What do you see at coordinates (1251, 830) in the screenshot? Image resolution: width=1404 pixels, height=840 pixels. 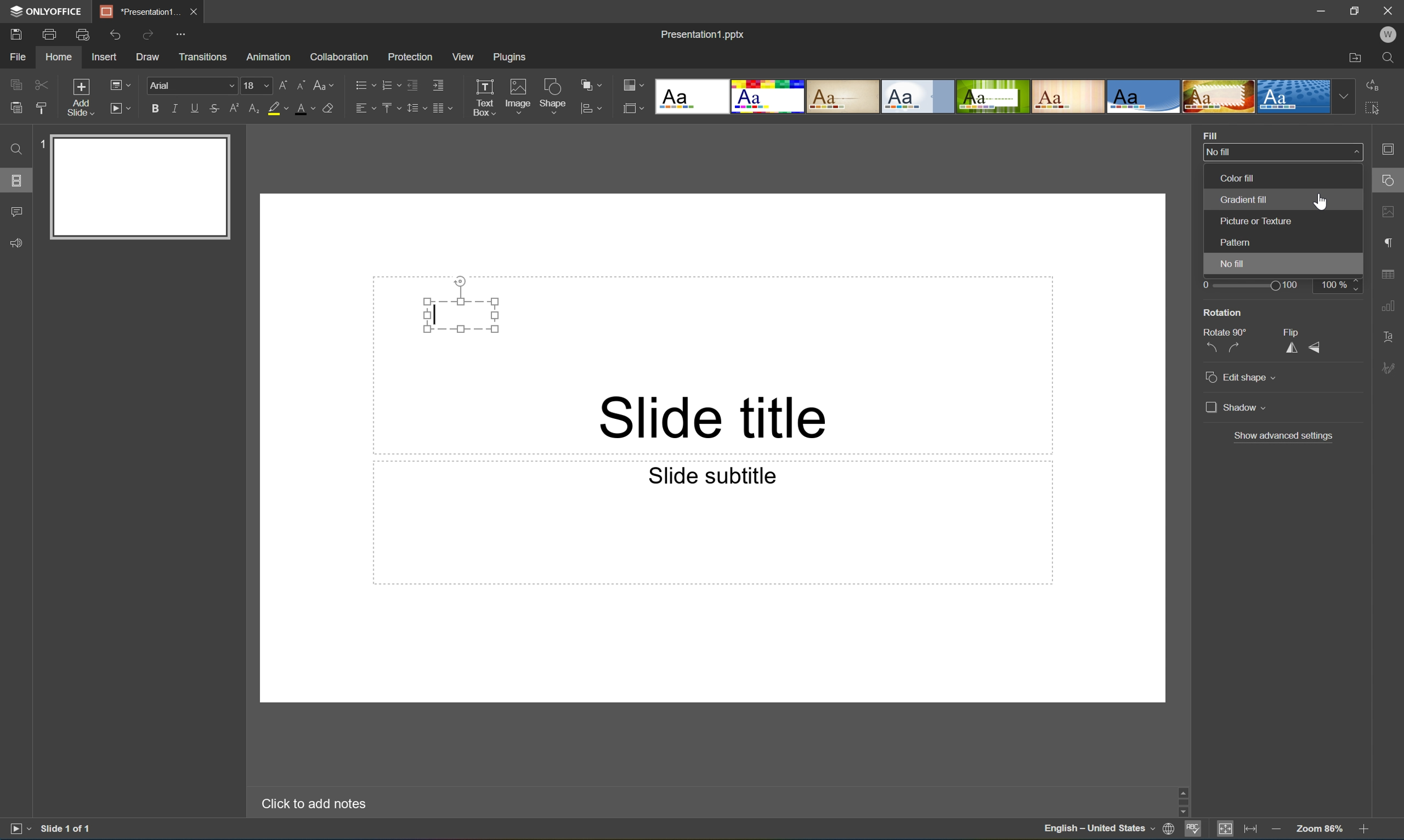 I see `Fit to width` at bounding box center [1251, 830].